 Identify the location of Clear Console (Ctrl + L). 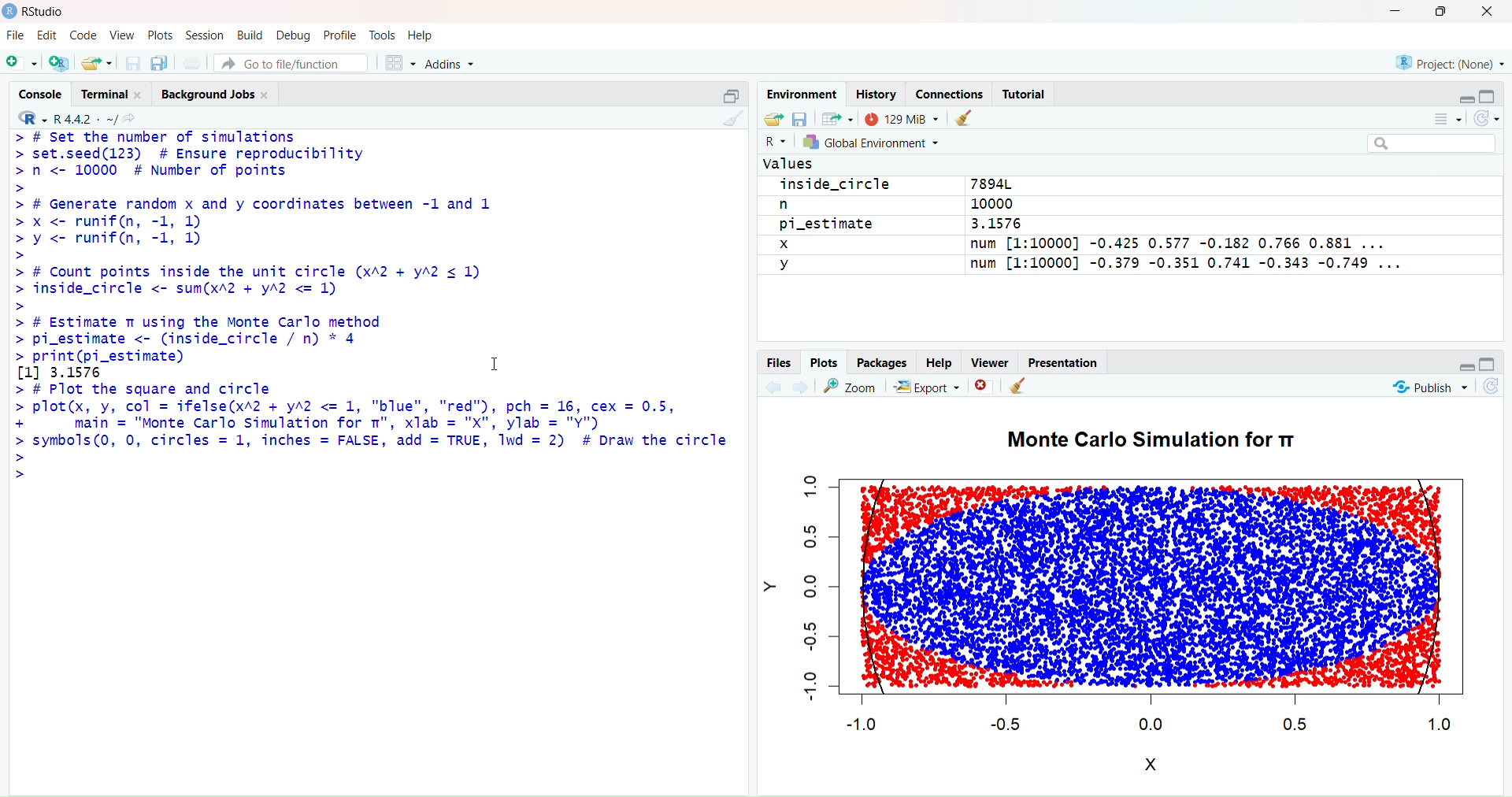
(1021, 387).